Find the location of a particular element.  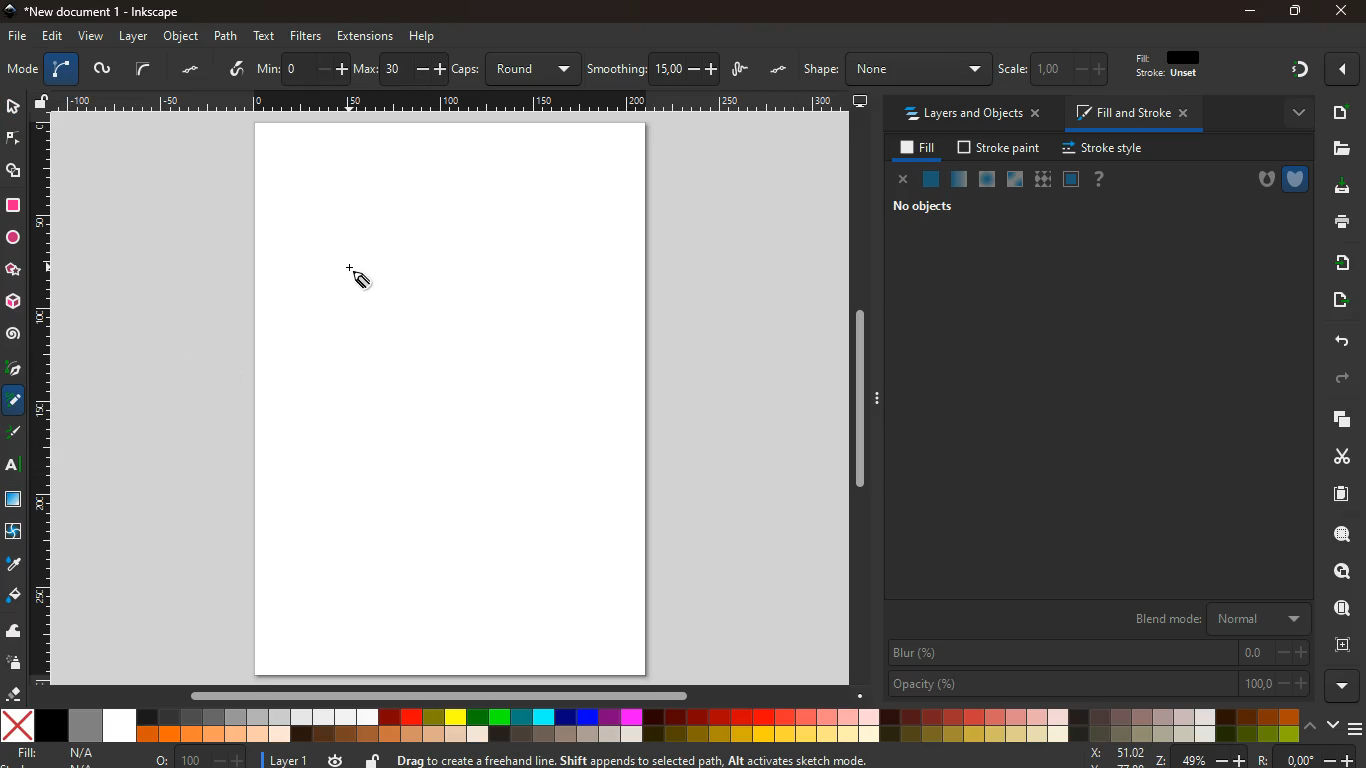

view is located at coordinates (90, 37).